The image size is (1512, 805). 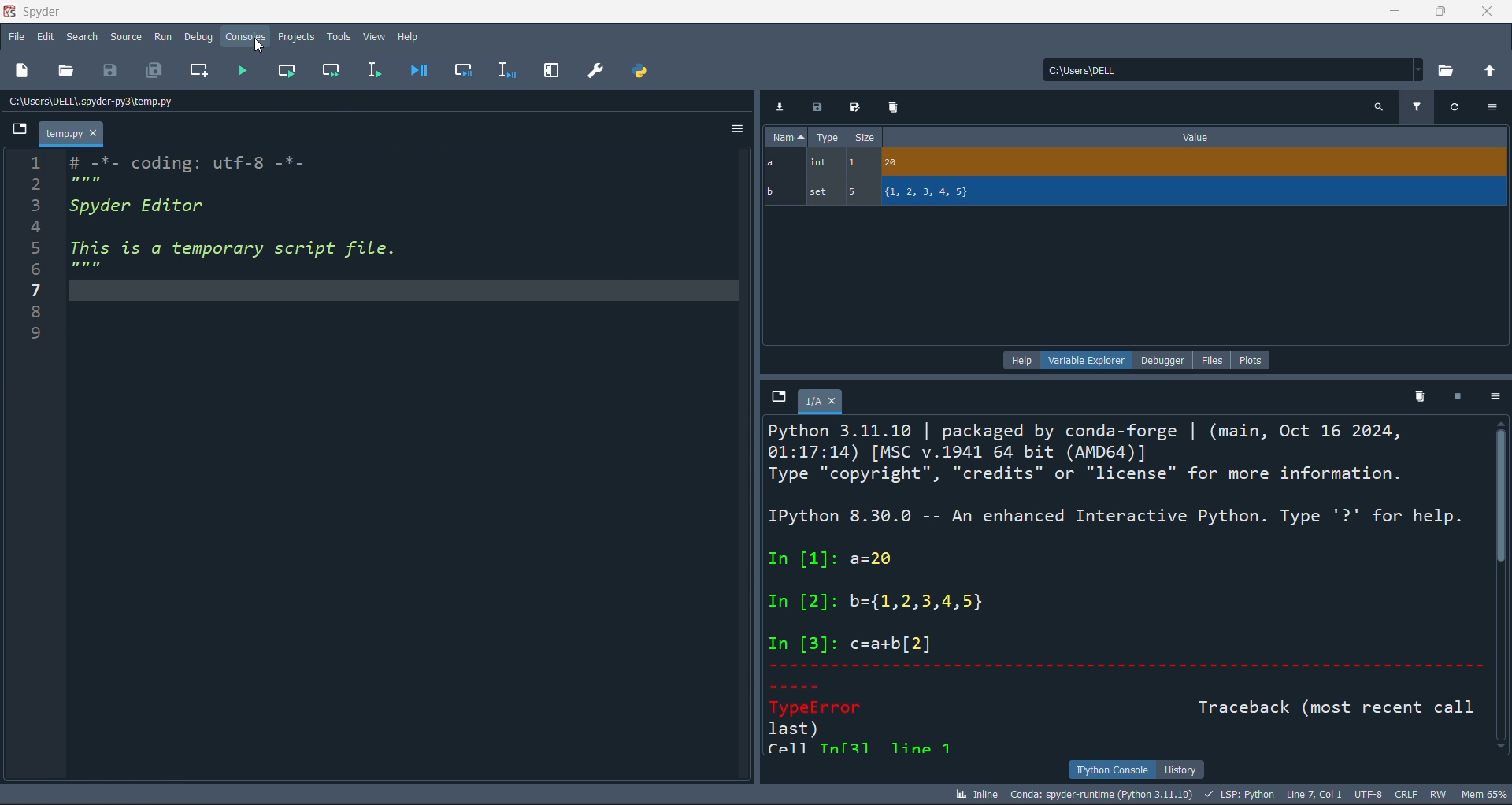 What do you see at coordinates (91, 102) in the screenshot?
I see `c:\users\dell\.spyder-py3\temp.py` at bounding box center [91, 102].